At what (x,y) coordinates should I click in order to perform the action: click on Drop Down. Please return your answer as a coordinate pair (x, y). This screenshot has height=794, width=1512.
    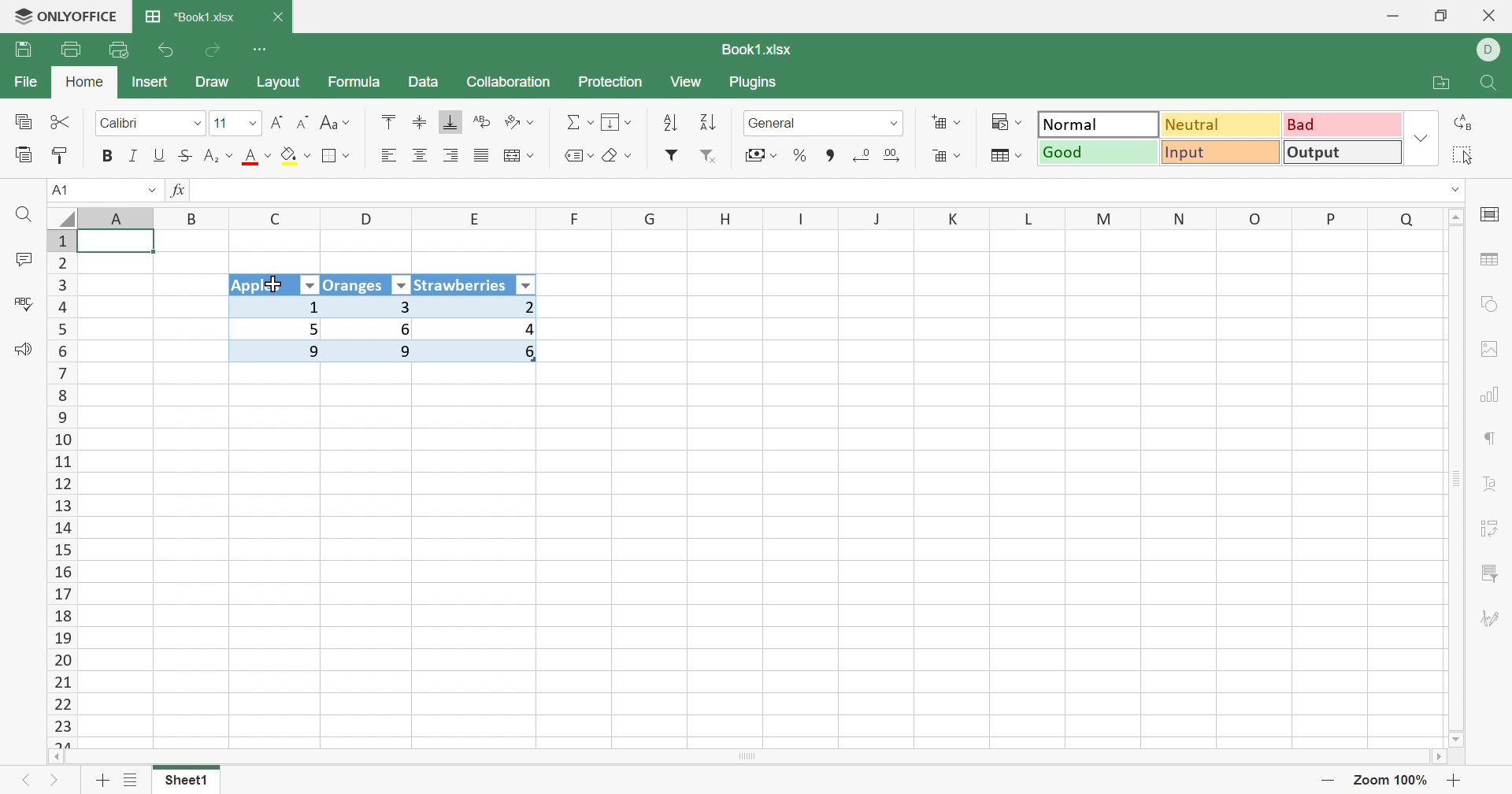
    Looking at the image, I should click on (195, 124).